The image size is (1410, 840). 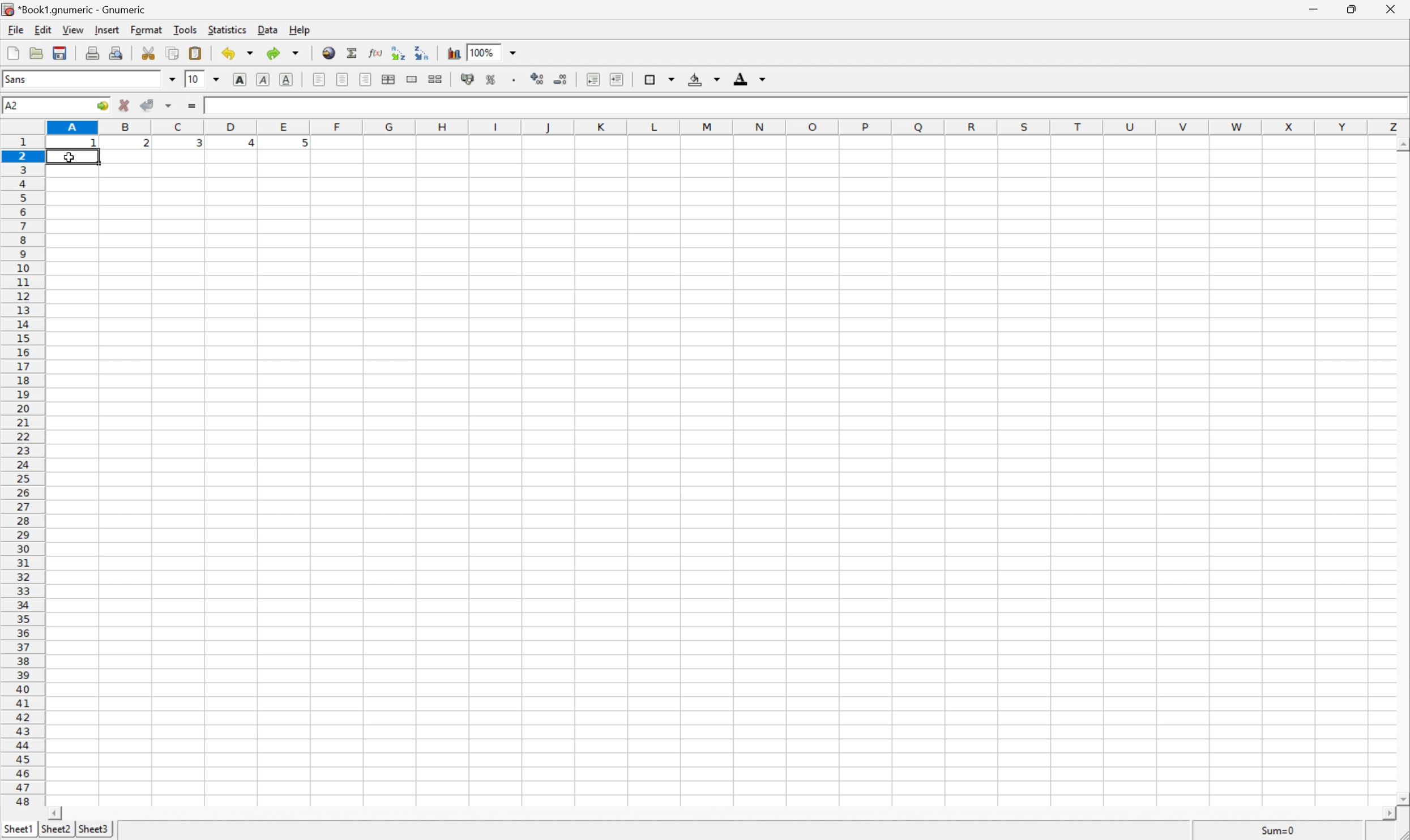 What do you see at coordinates (491, 80) in the screenshot?
I see `format selection as percentage` at bounding box center [491, 80].